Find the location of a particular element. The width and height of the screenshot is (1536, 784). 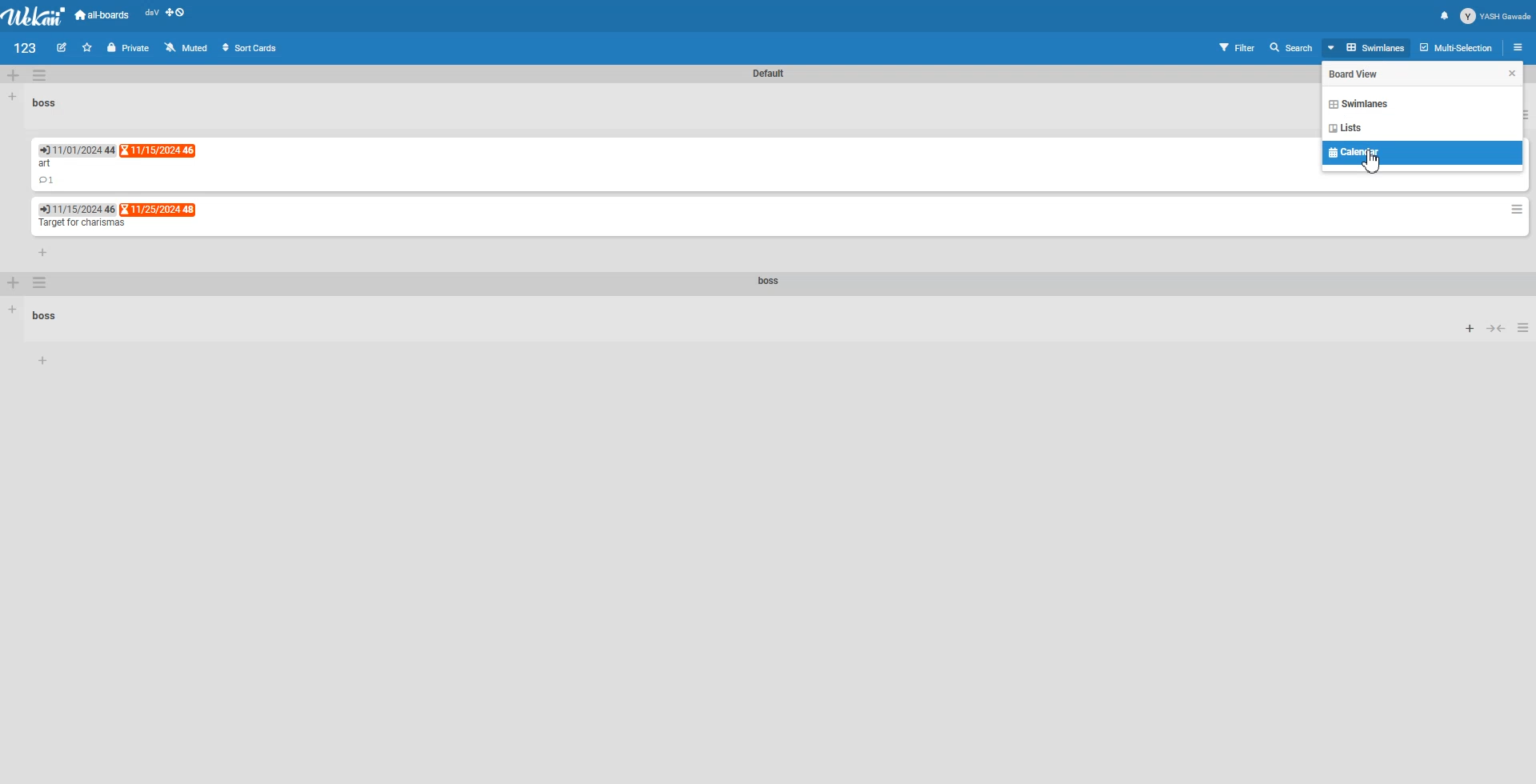

Click to star this board is located at coordinates (87, 47).